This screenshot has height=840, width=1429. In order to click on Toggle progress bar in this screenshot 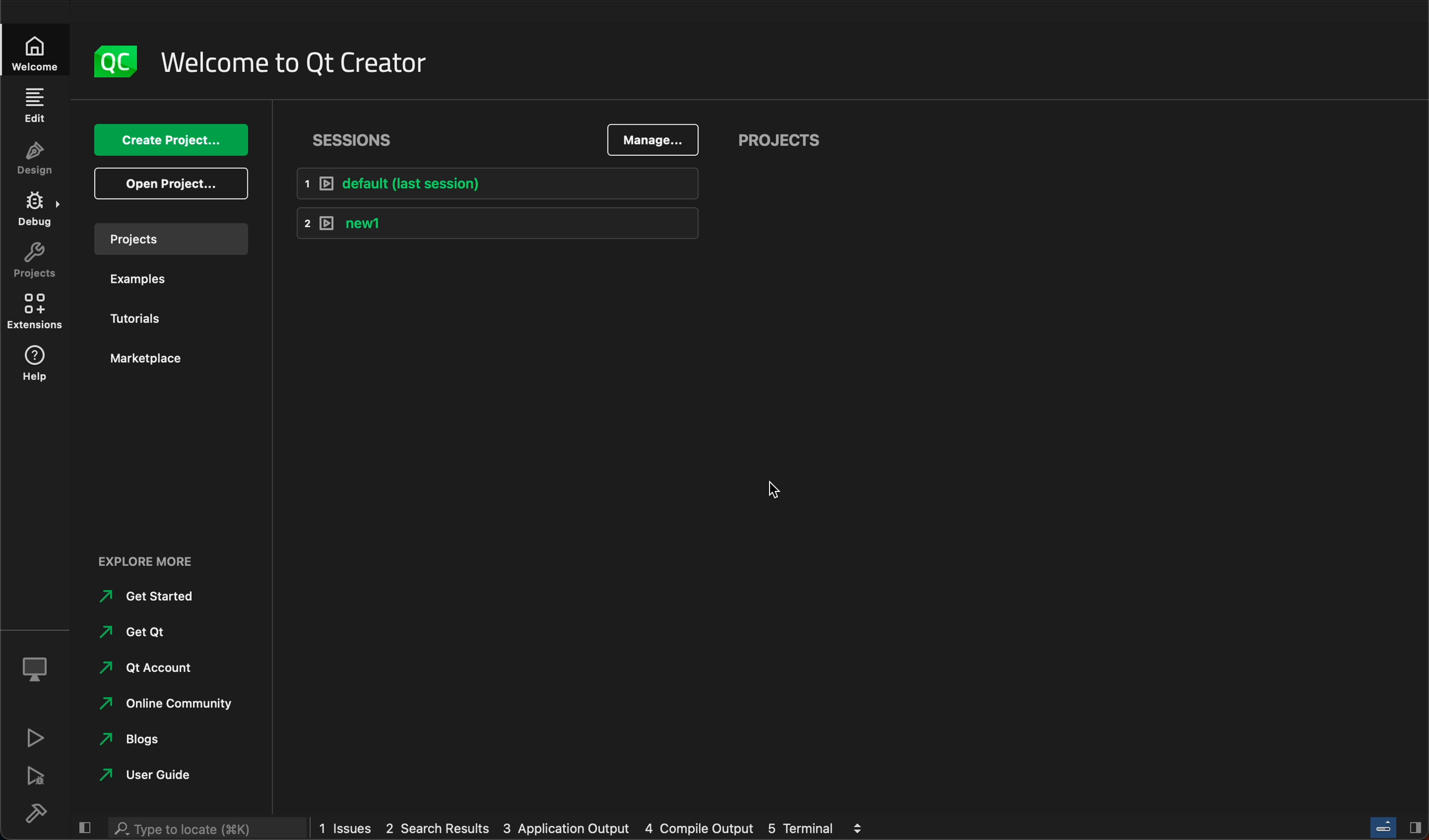, I will do `click(1381, 825)`.